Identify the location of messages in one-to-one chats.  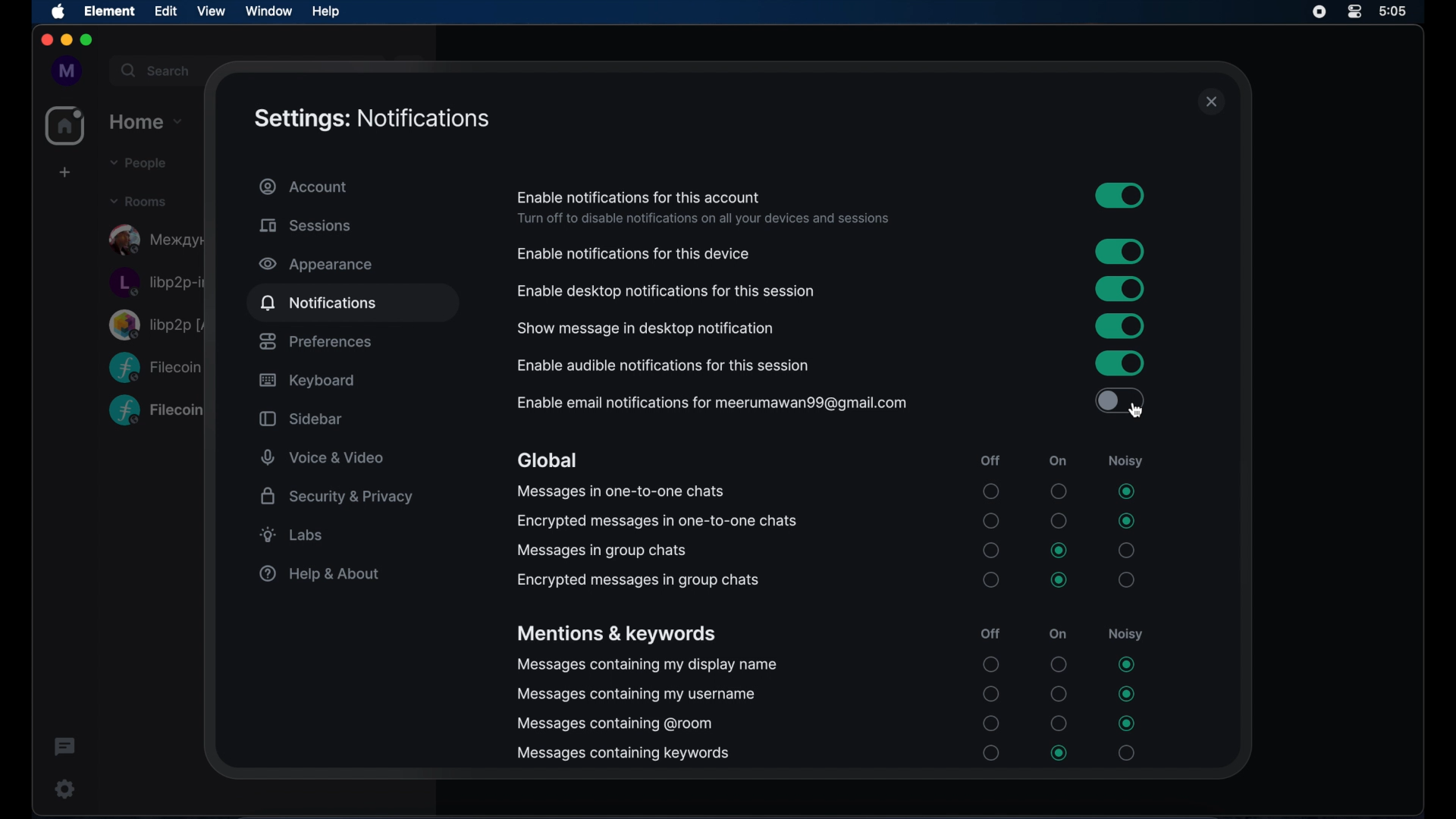
(620, 491).